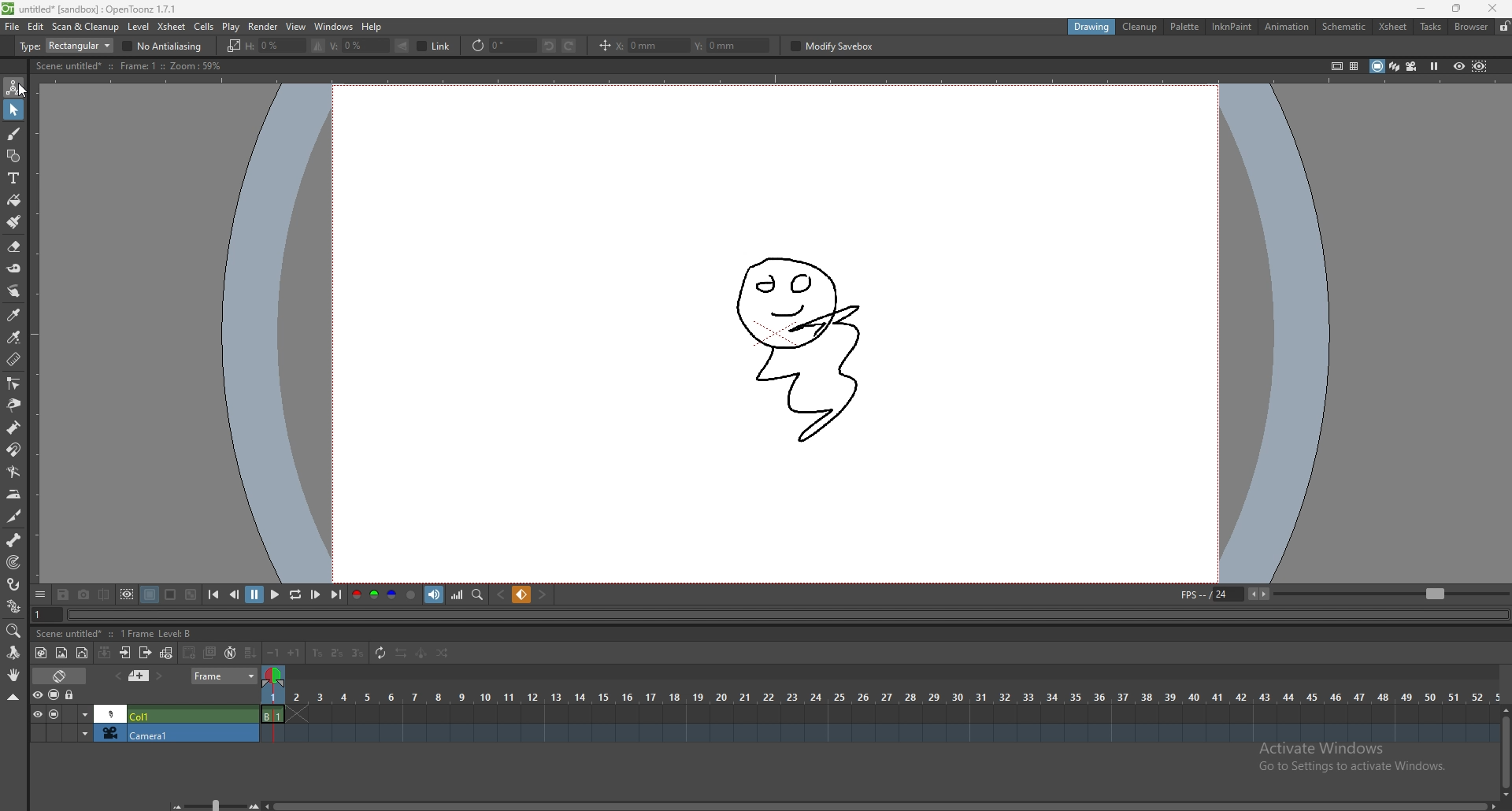 The height and width of the screenshot is (811, 1512). Describe the element at coordinates (571, 46) in the screenshot. I see `rotate right` at that location.